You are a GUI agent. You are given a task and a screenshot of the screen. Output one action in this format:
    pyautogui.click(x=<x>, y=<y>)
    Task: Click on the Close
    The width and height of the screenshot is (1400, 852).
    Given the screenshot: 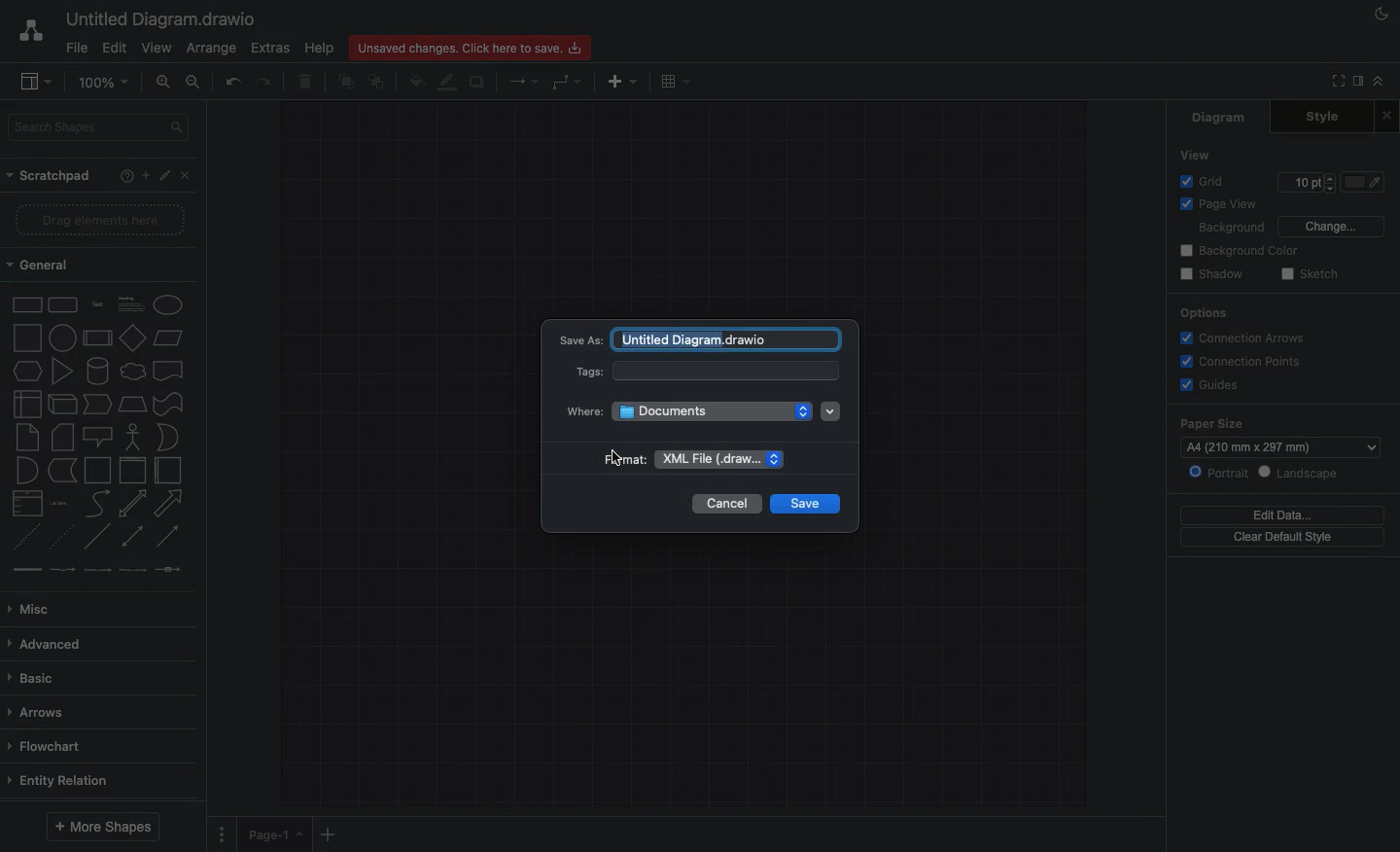 What is the action you would take?
    pyautogui.click(x=1387, y=117)
    